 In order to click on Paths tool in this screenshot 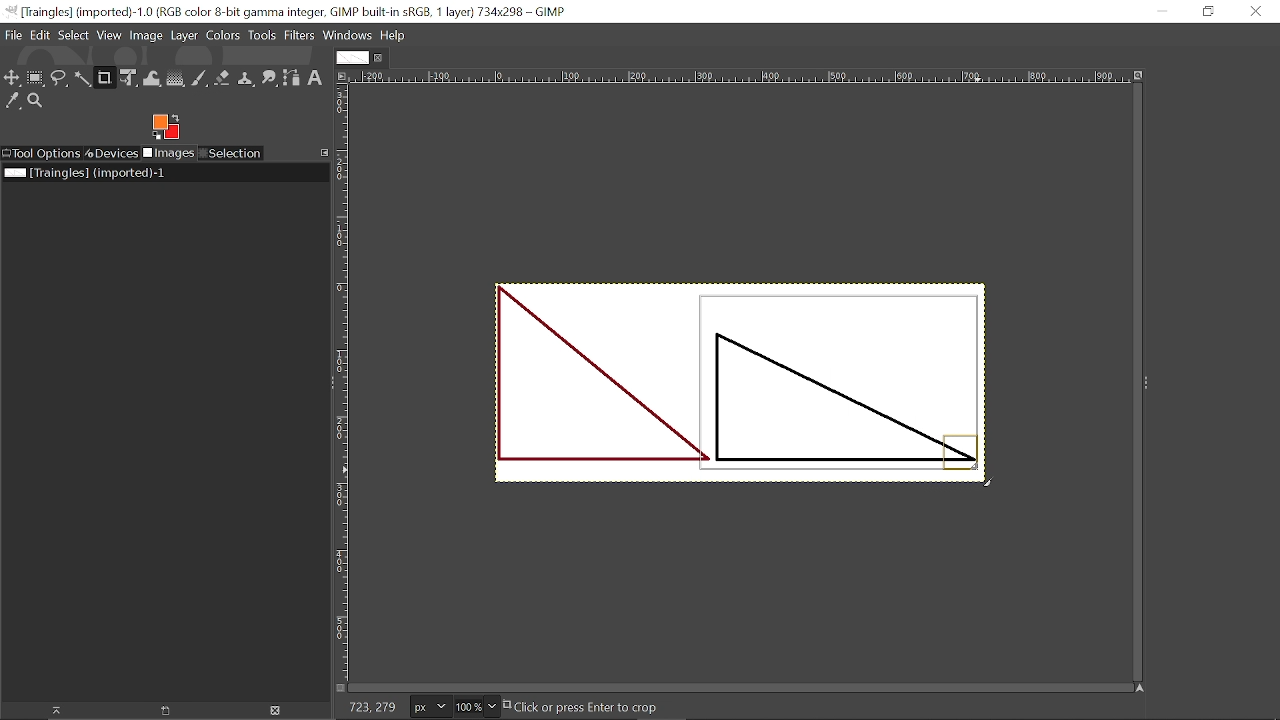, I will do `click(292, 78)`.